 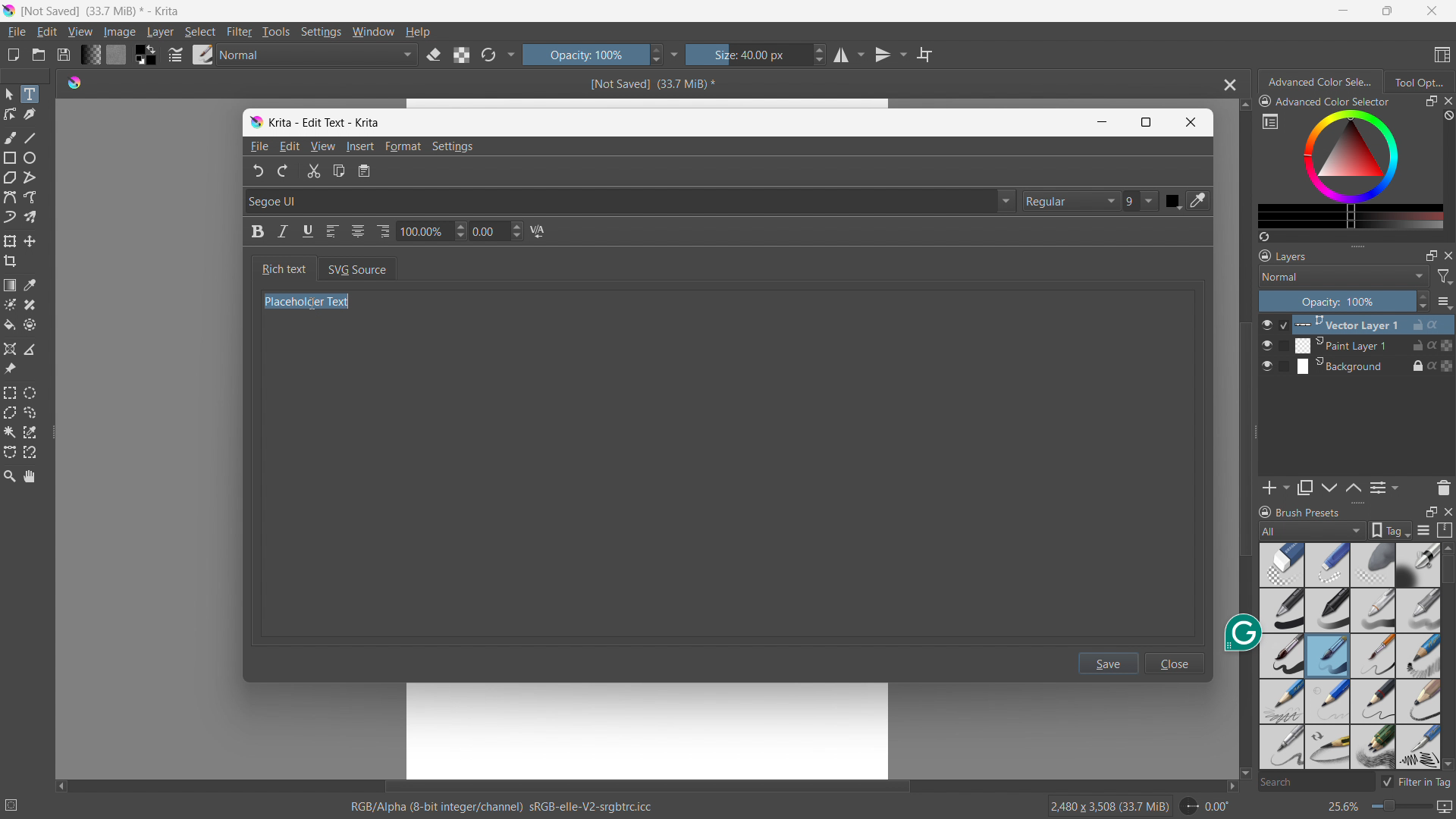 I want to click on fill a contiguous area of color with a color, so click(x=9, y=325).